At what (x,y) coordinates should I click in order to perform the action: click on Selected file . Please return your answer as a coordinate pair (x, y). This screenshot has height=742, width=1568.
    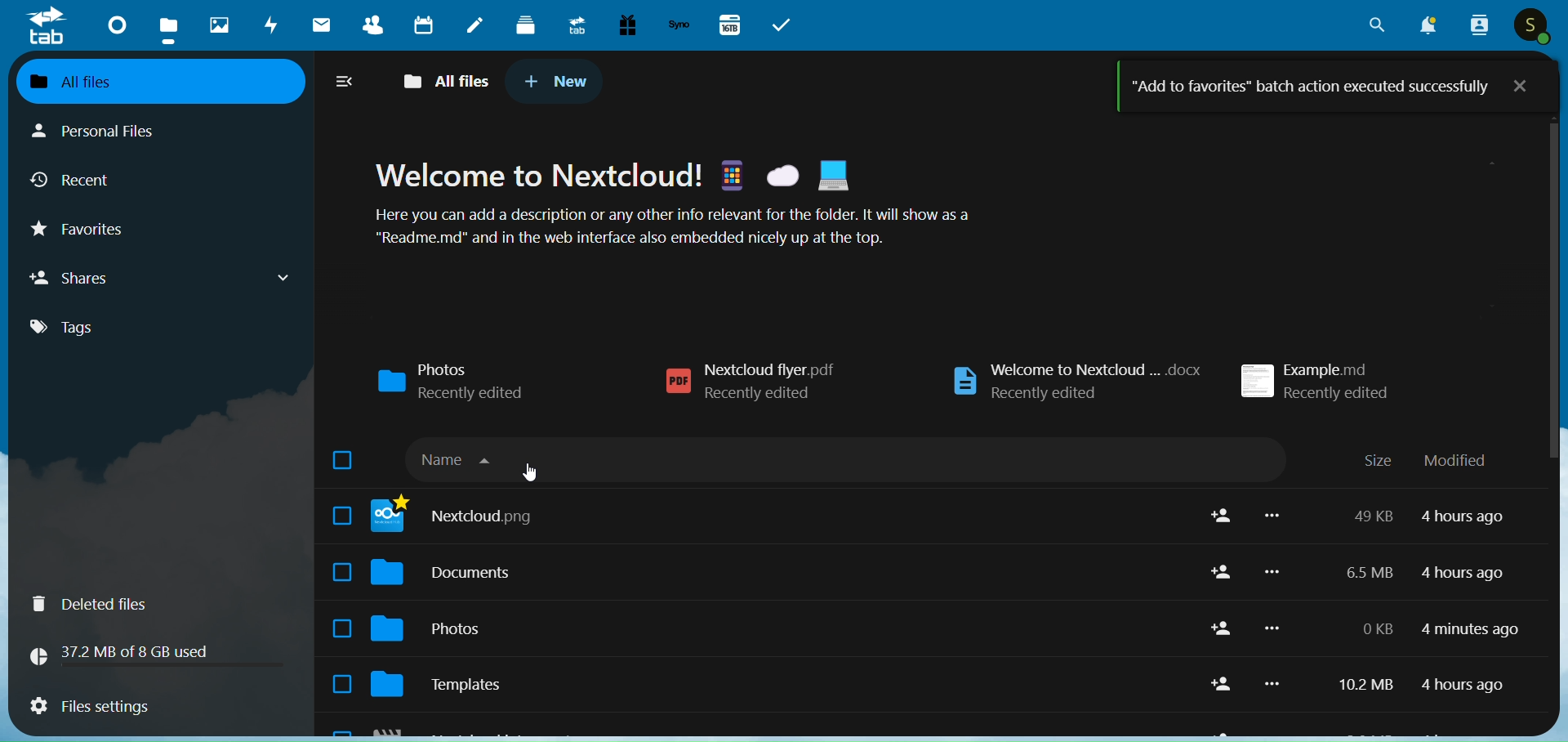
    Looking at the image, I should click on (341, 683).